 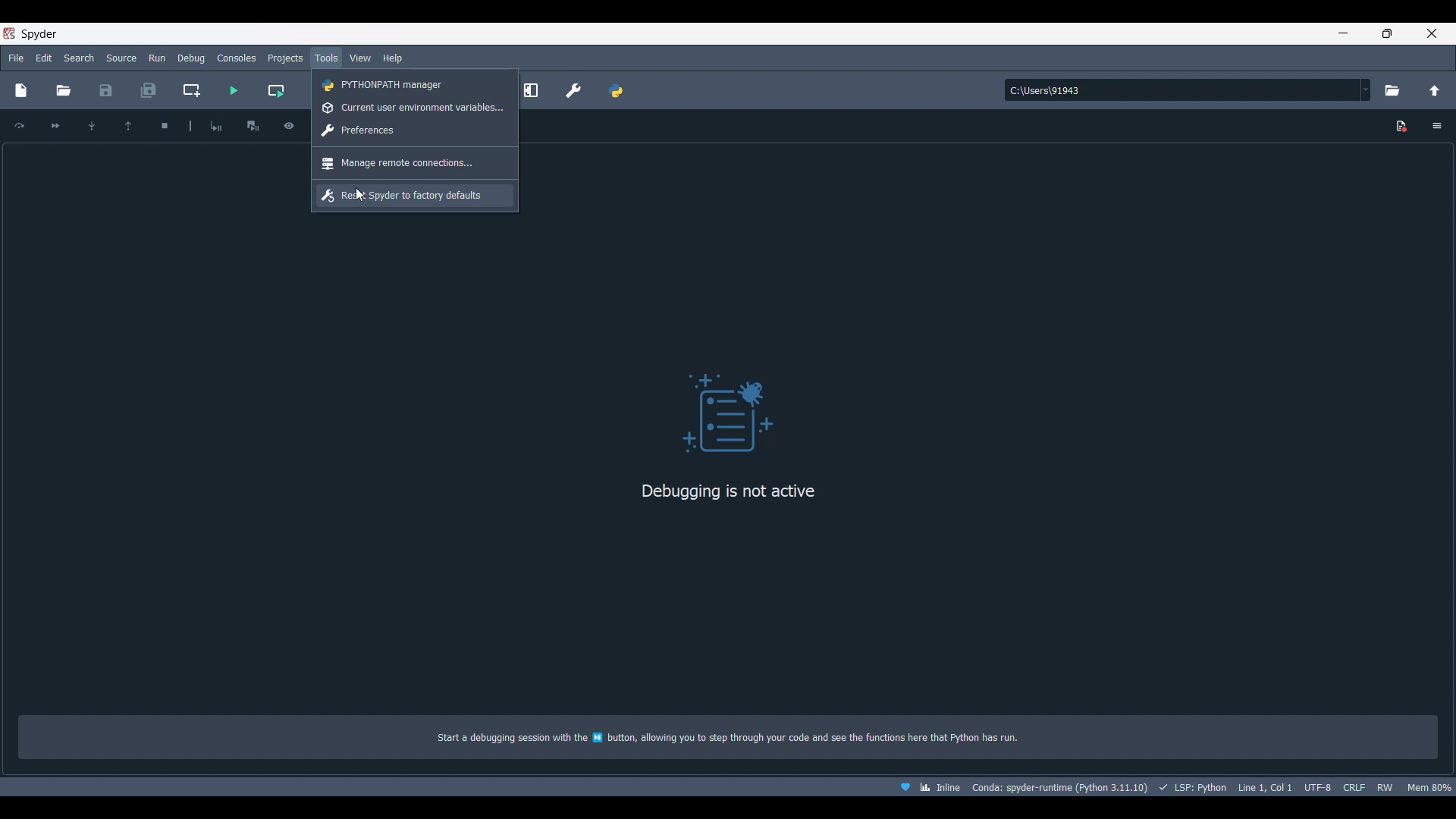 What do you see at coordinates (128, 124) in the screenshot?
I see `move up` at bounding box center [128, 124].